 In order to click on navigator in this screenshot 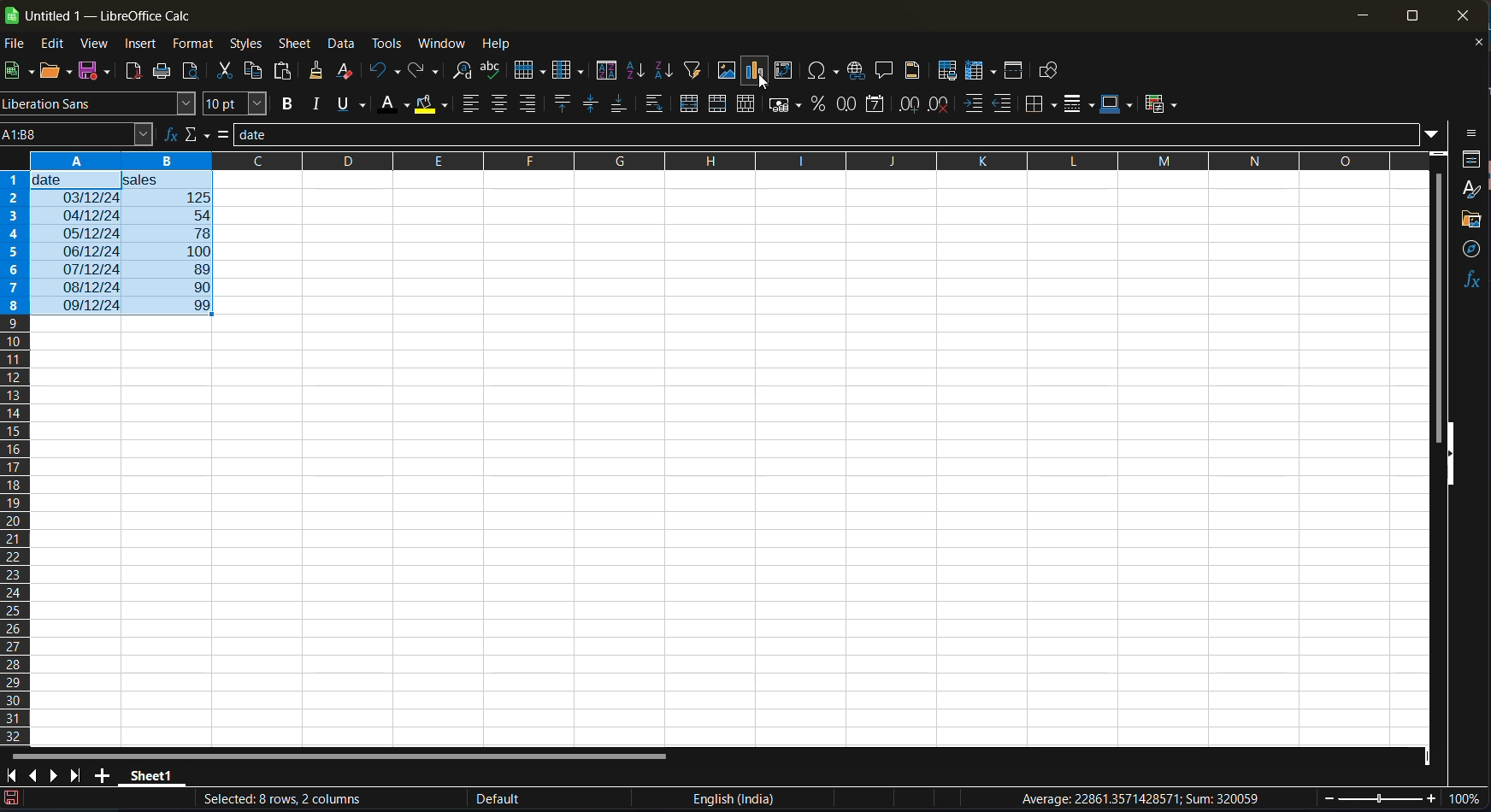, I will do `click(1470, 250)`.